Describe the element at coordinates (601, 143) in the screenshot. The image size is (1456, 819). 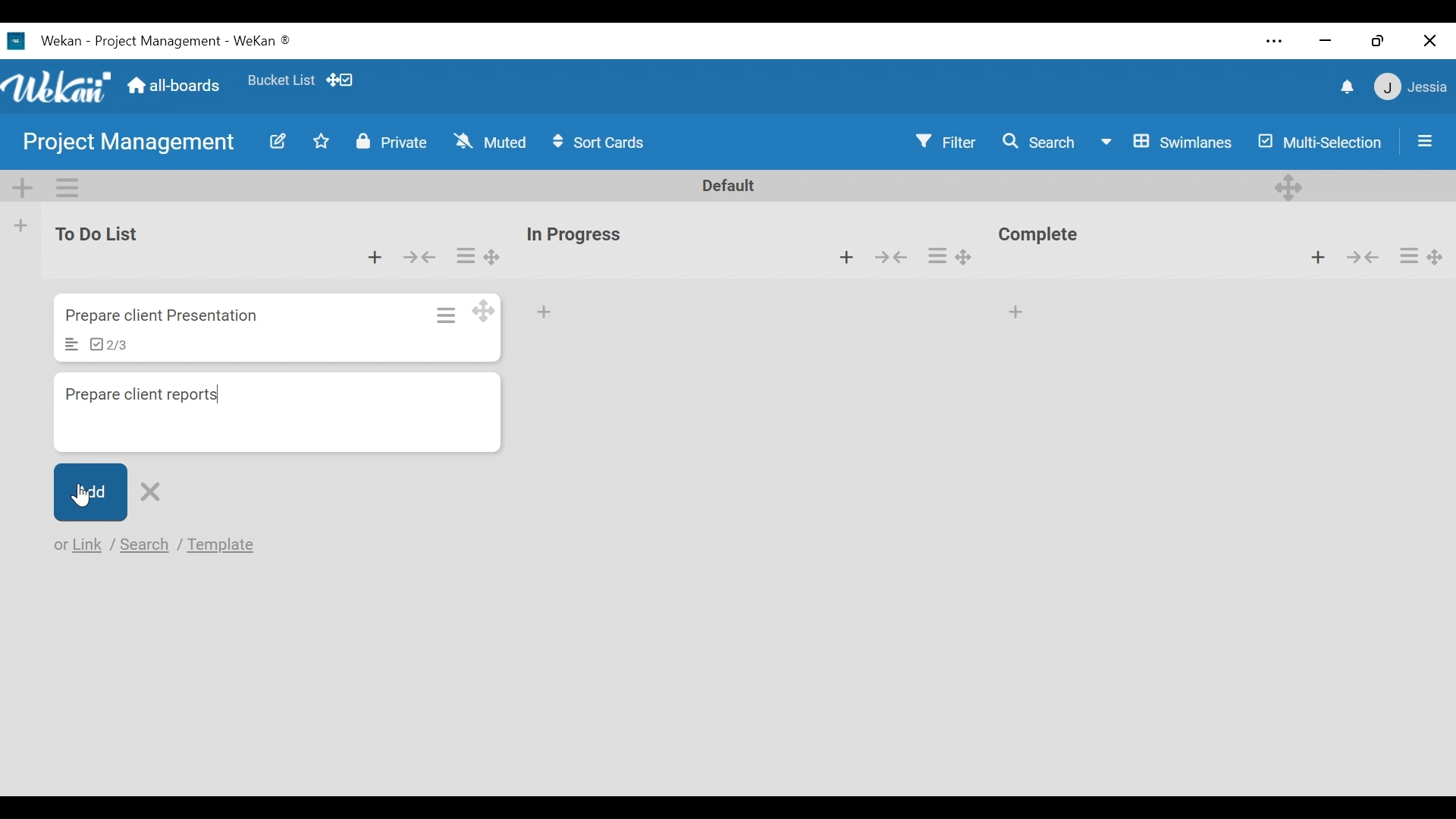
I see `Sort cards` at that location.